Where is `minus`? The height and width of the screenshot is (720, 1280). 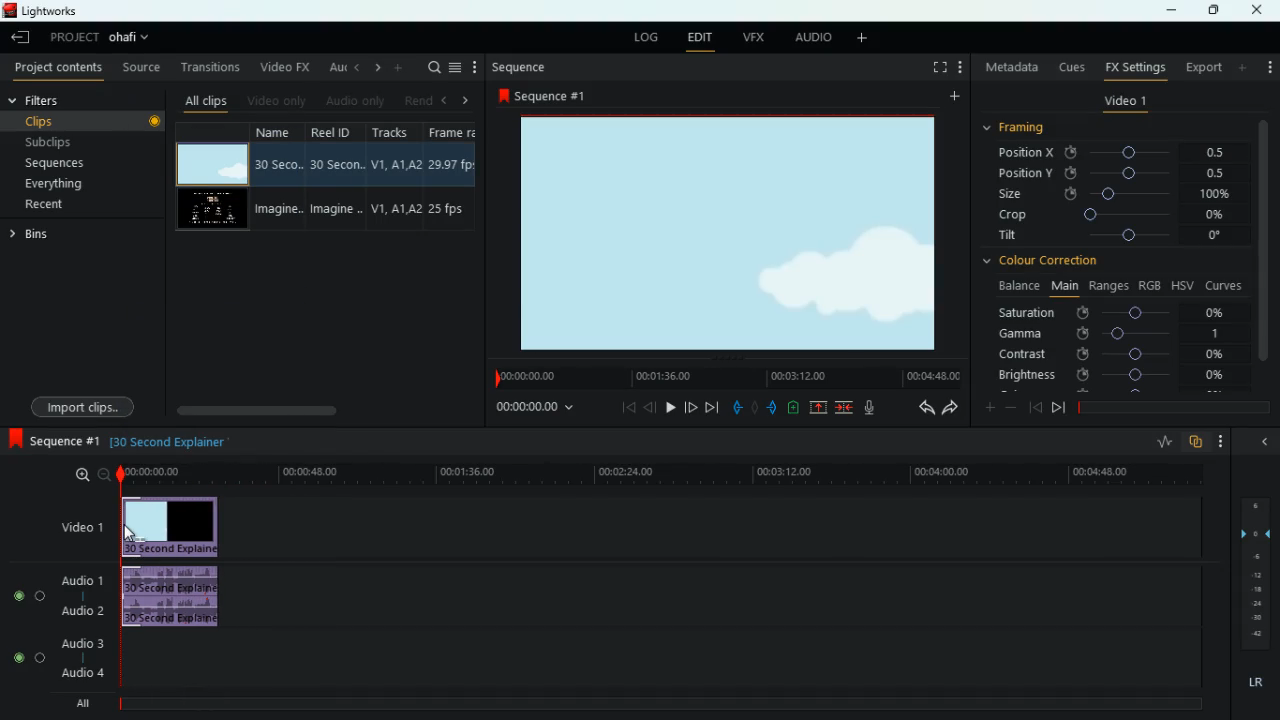 minus is located at coordinates (1010, 407).